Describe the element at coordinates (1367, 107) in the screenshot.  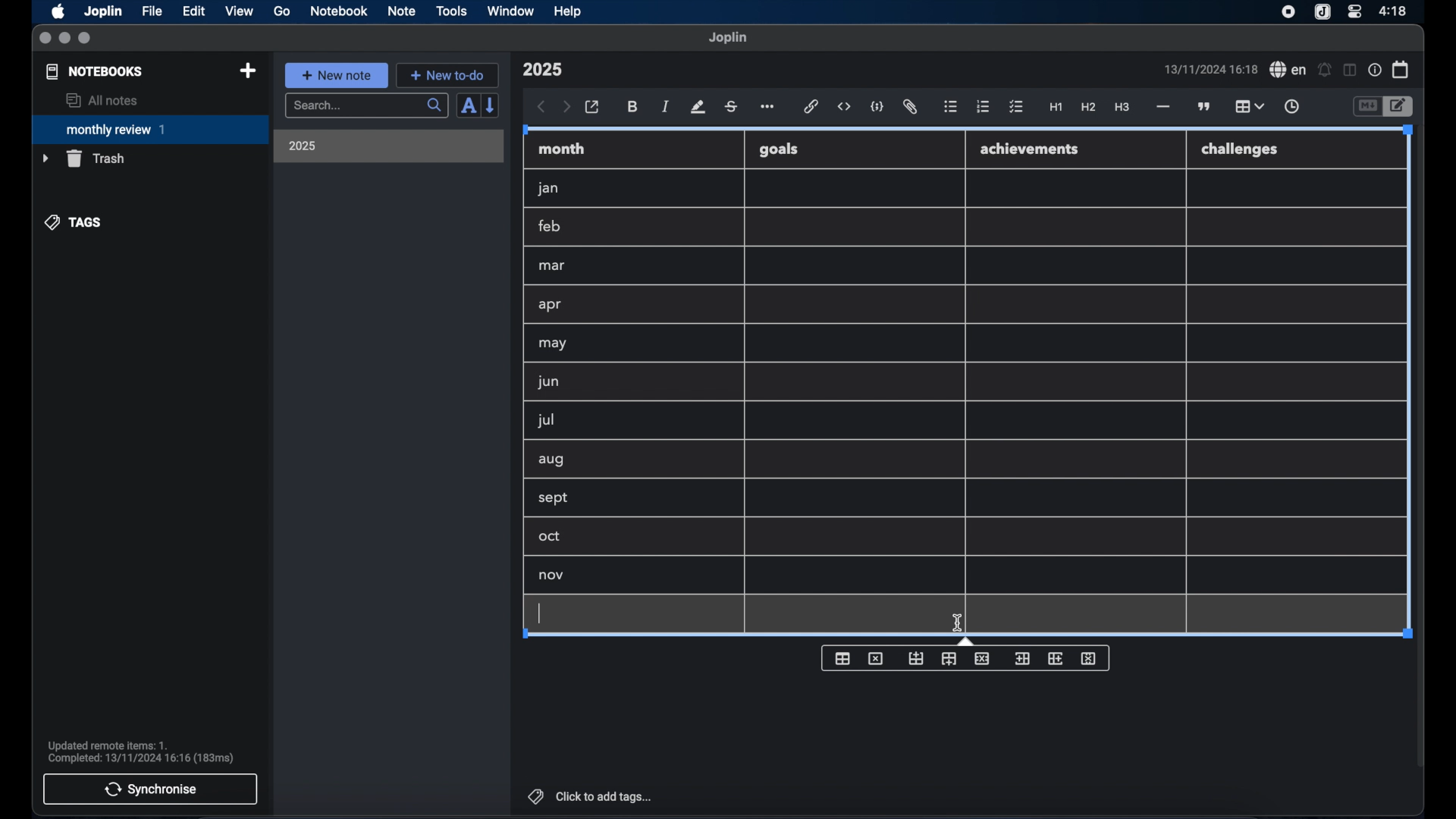
I see `toggle editor` at that location.